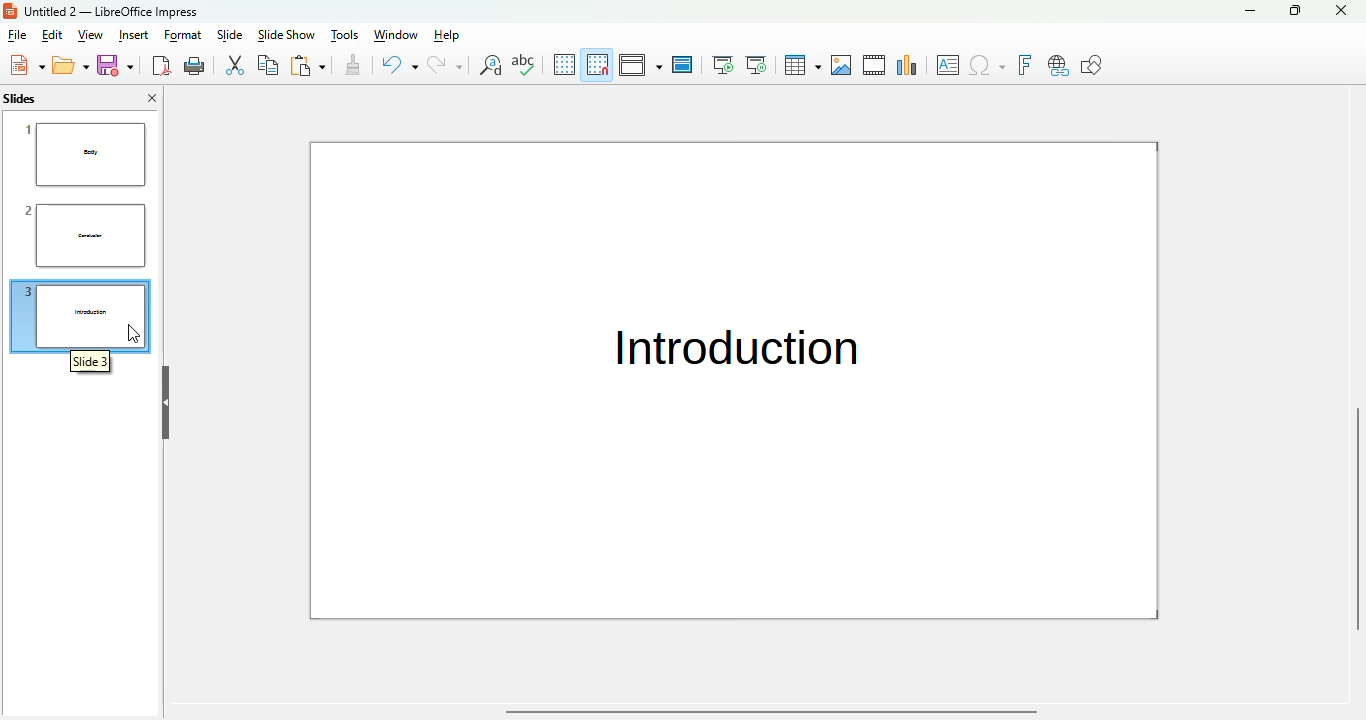 The image size is (1366, 720). What do you see at coordinates (734, 381) in the screenshot?
I see `slide 3` at bounding box center [734, 381].